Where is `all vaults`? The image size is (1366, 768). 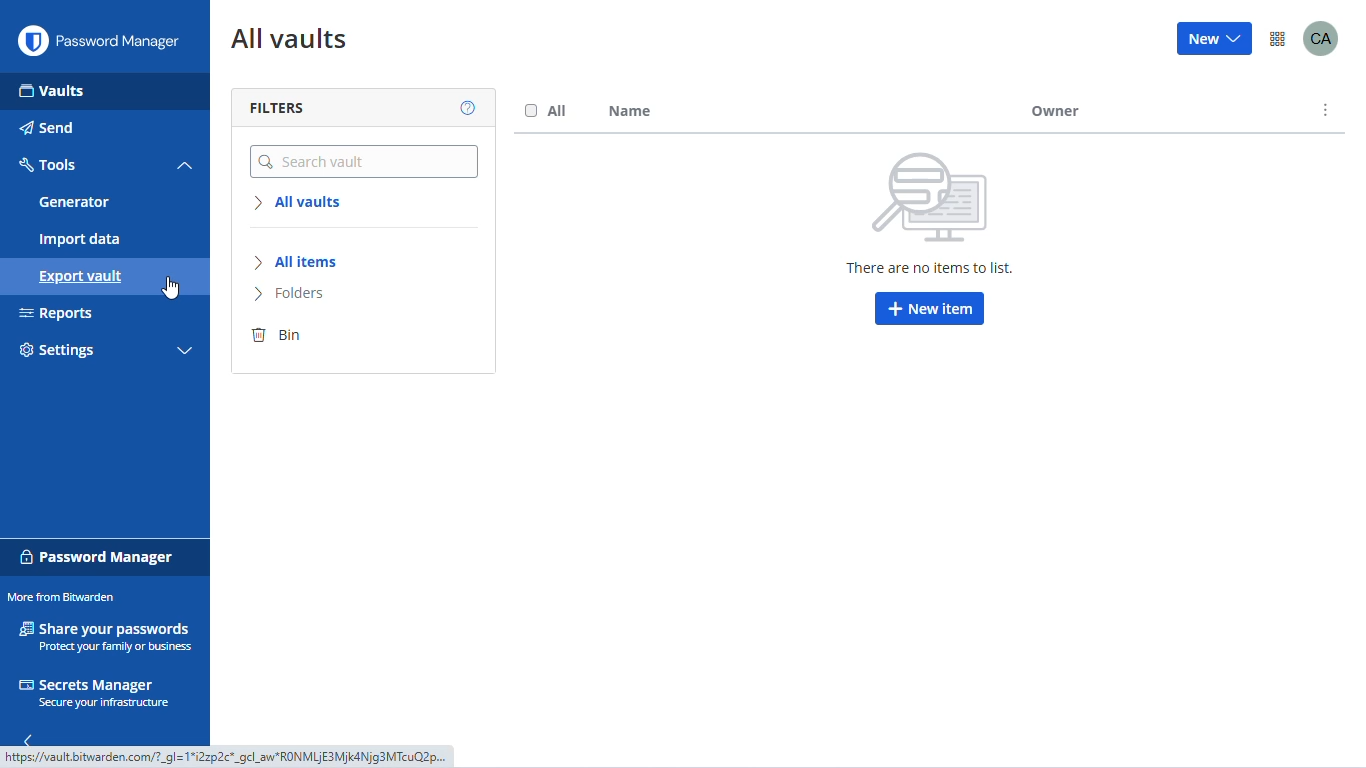 all vaults is located at coordinates (297, 201).